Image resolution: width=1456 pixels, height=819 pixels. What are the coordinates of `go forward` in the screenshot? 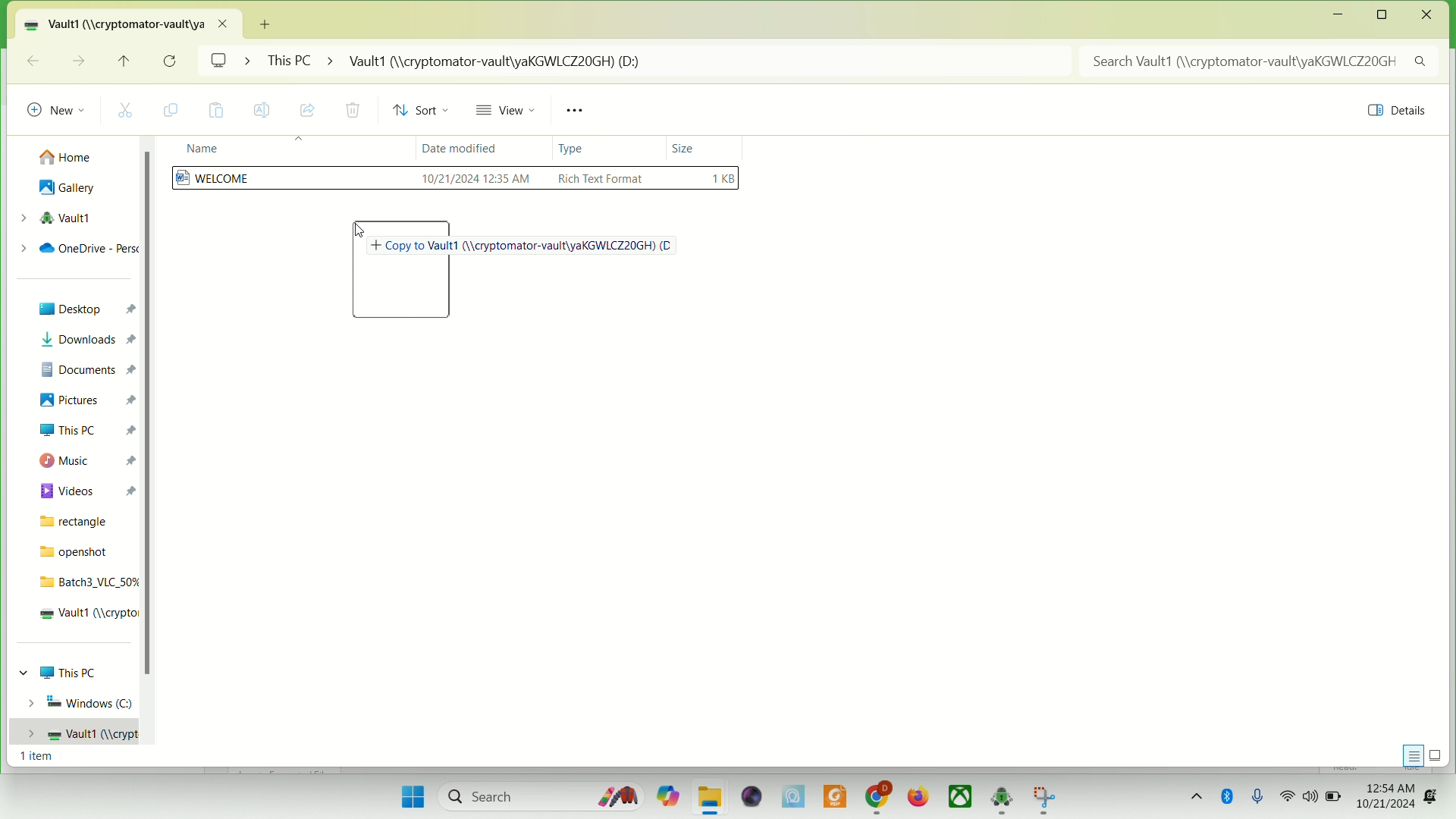 It's located at (77, 60).